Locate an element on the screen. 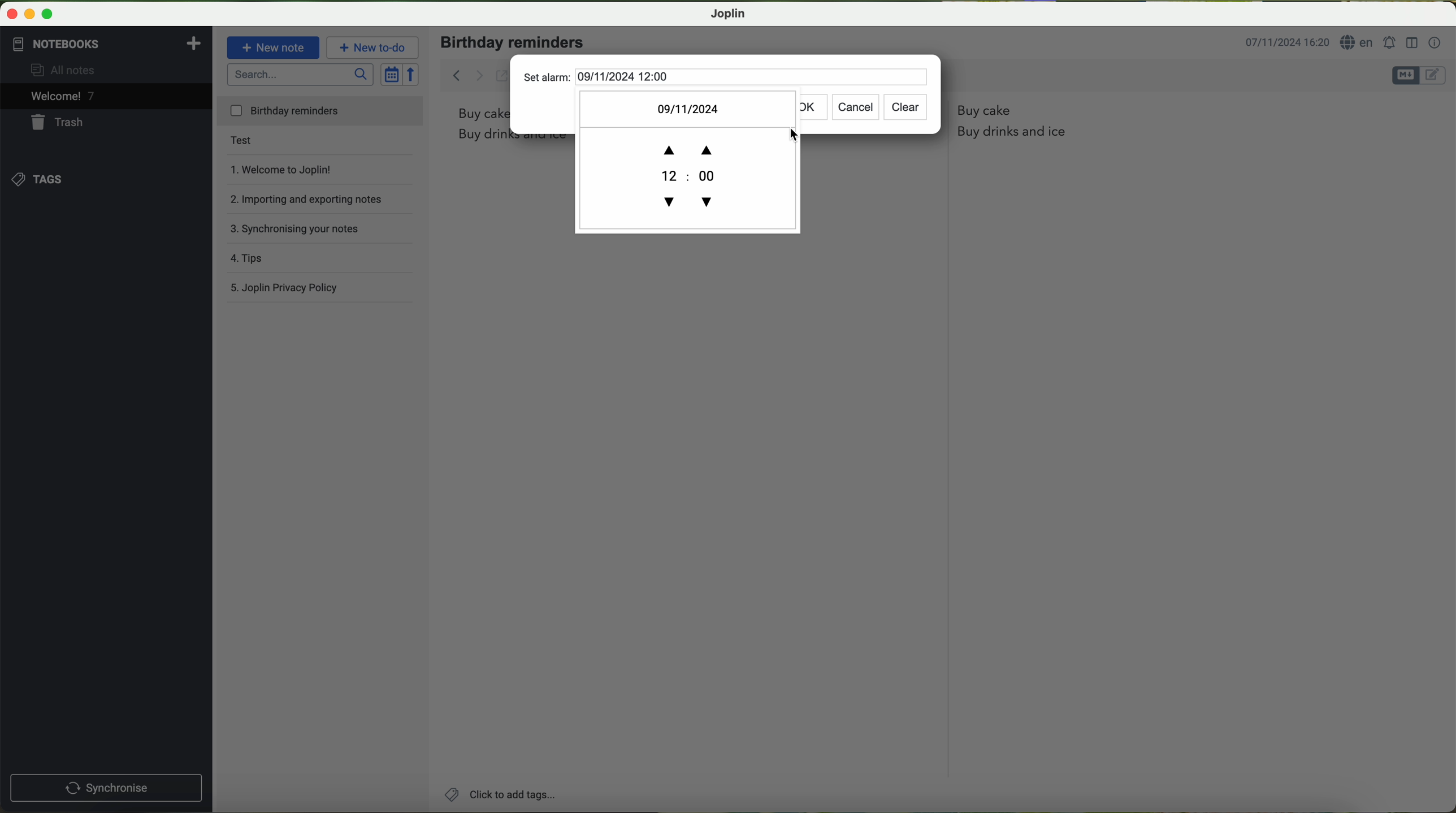 This screenshot has width=1456, height=813. welcome to Joplin is located at coordinates (297, 169).